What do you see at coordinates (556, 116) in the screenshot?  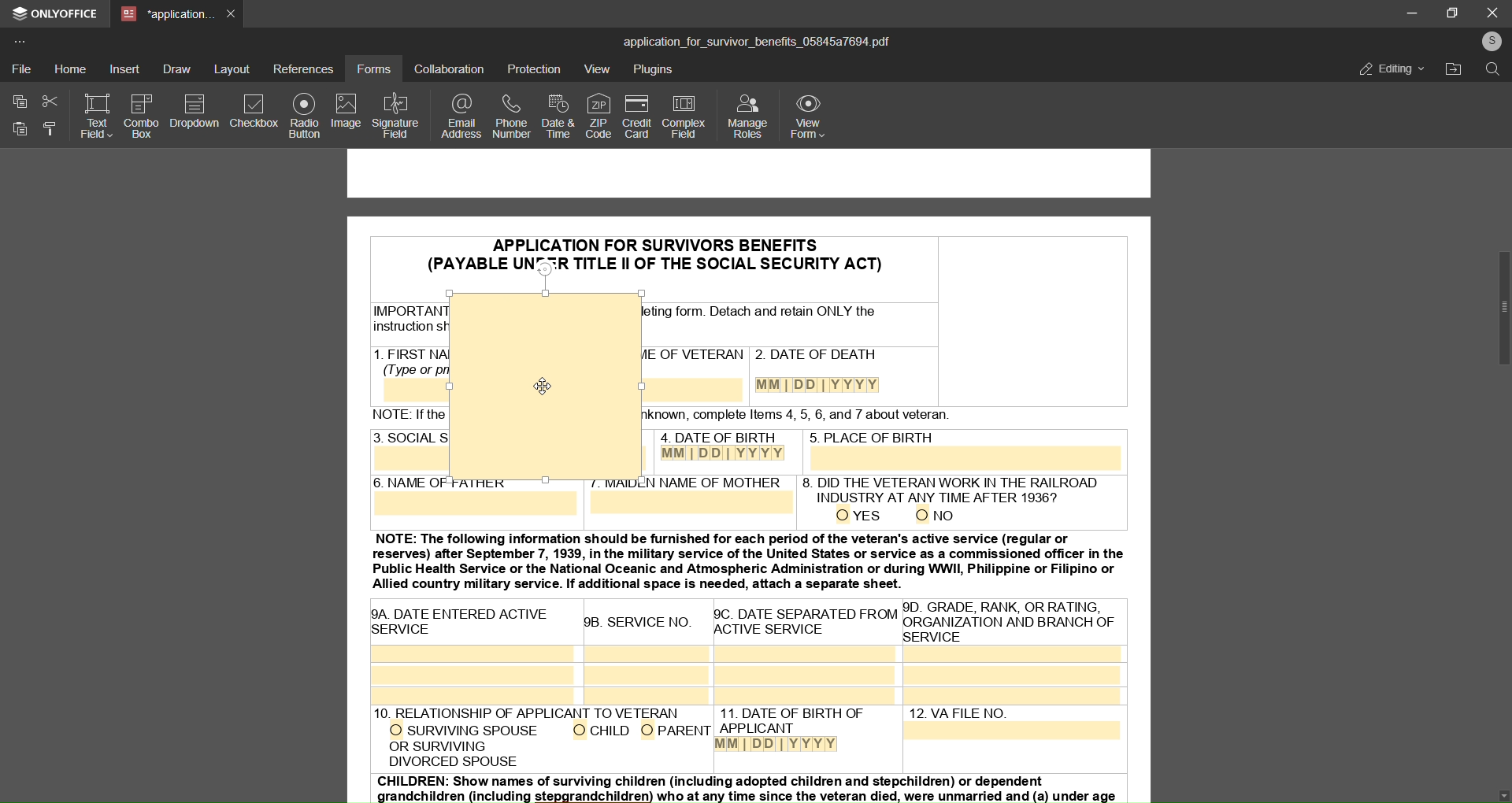 I see `date and time` at bounding box center [556, 116].